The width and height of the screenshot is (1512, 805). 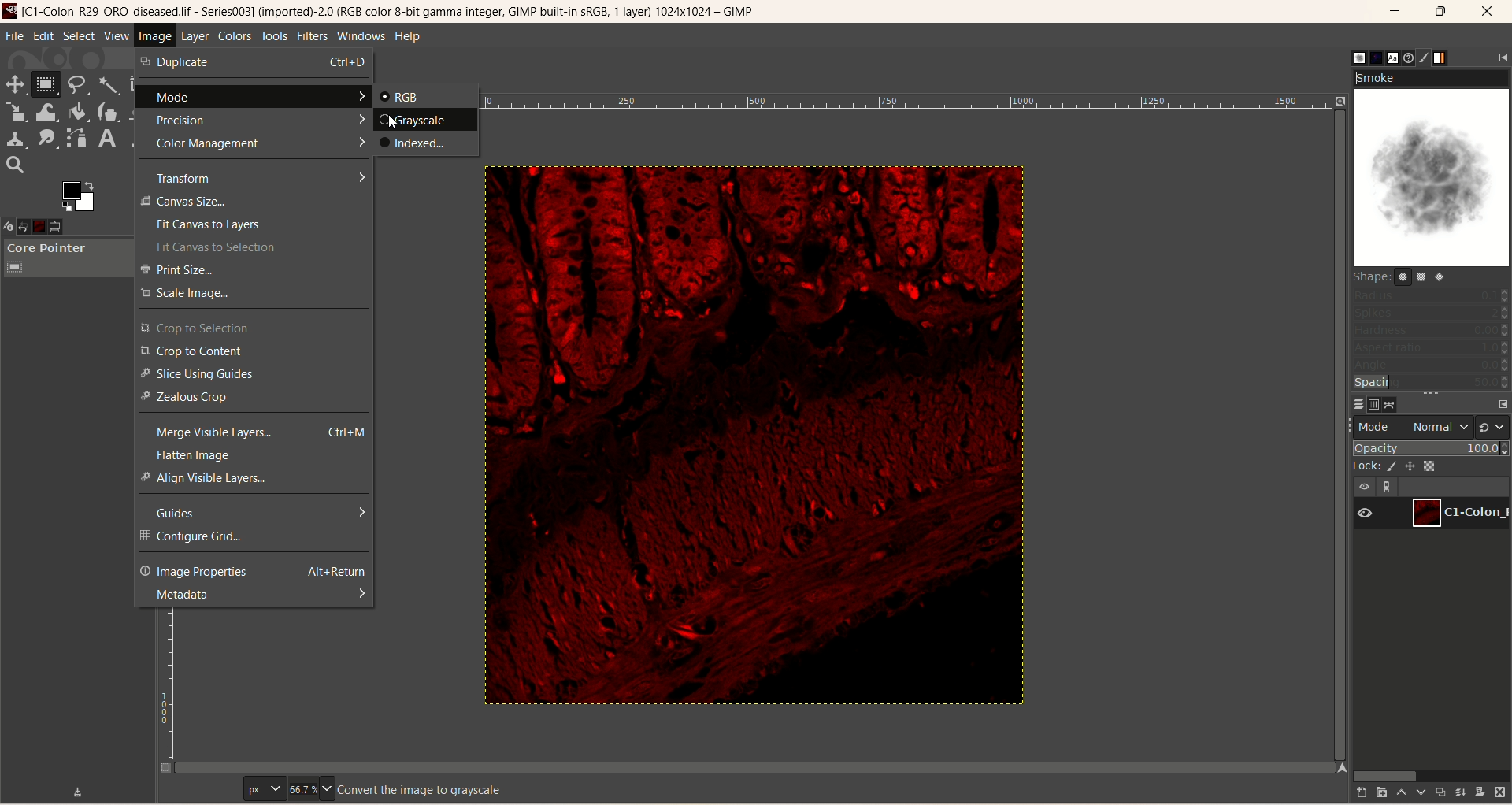 What do you see at coordinates (255, 595) in the screenshot?
I see `metadata` at bounding box center [255, 595].